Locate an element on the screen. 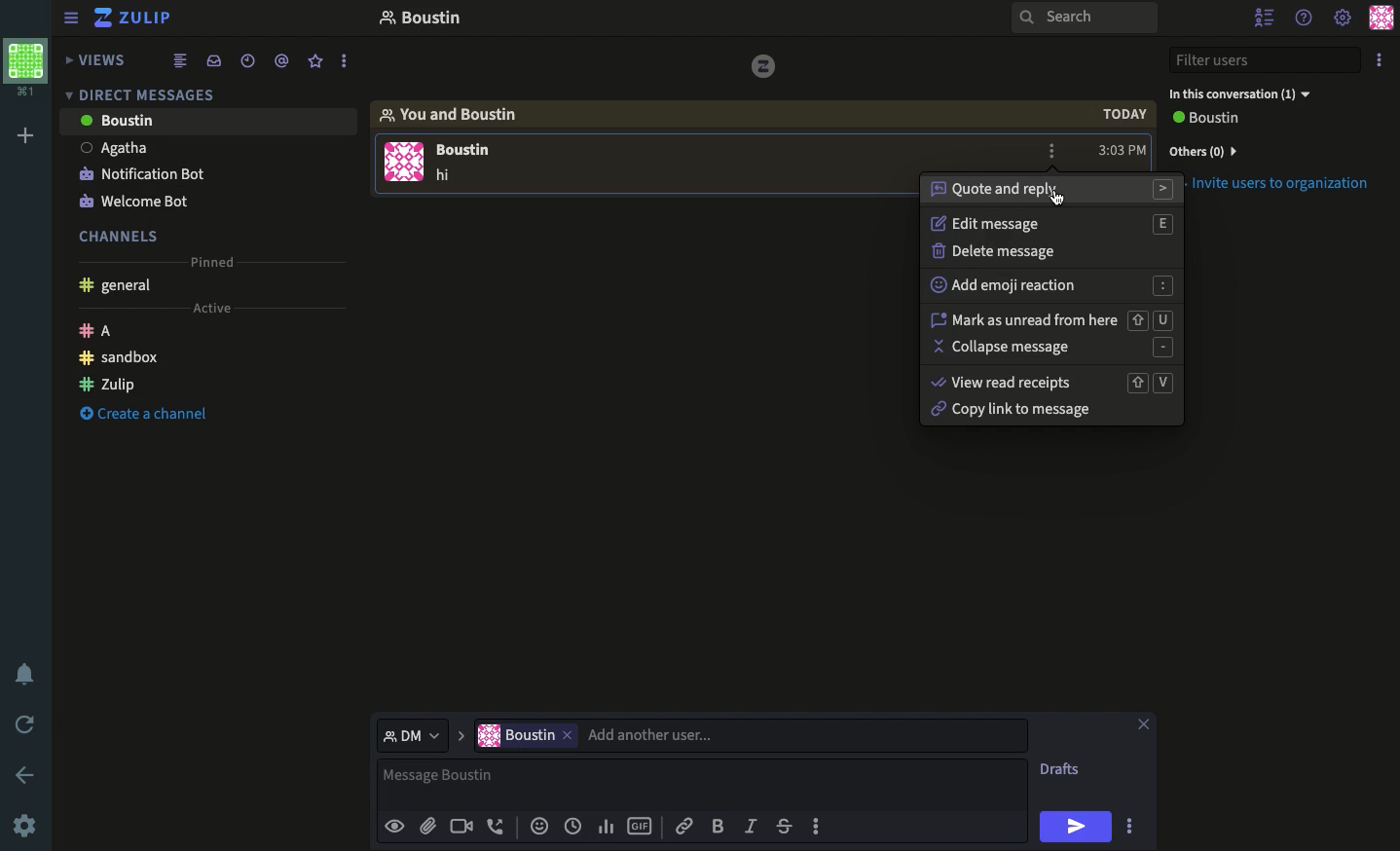 The width and height of the screenshot is (1400, 851). Zulip is located at coordinates (109, 383).